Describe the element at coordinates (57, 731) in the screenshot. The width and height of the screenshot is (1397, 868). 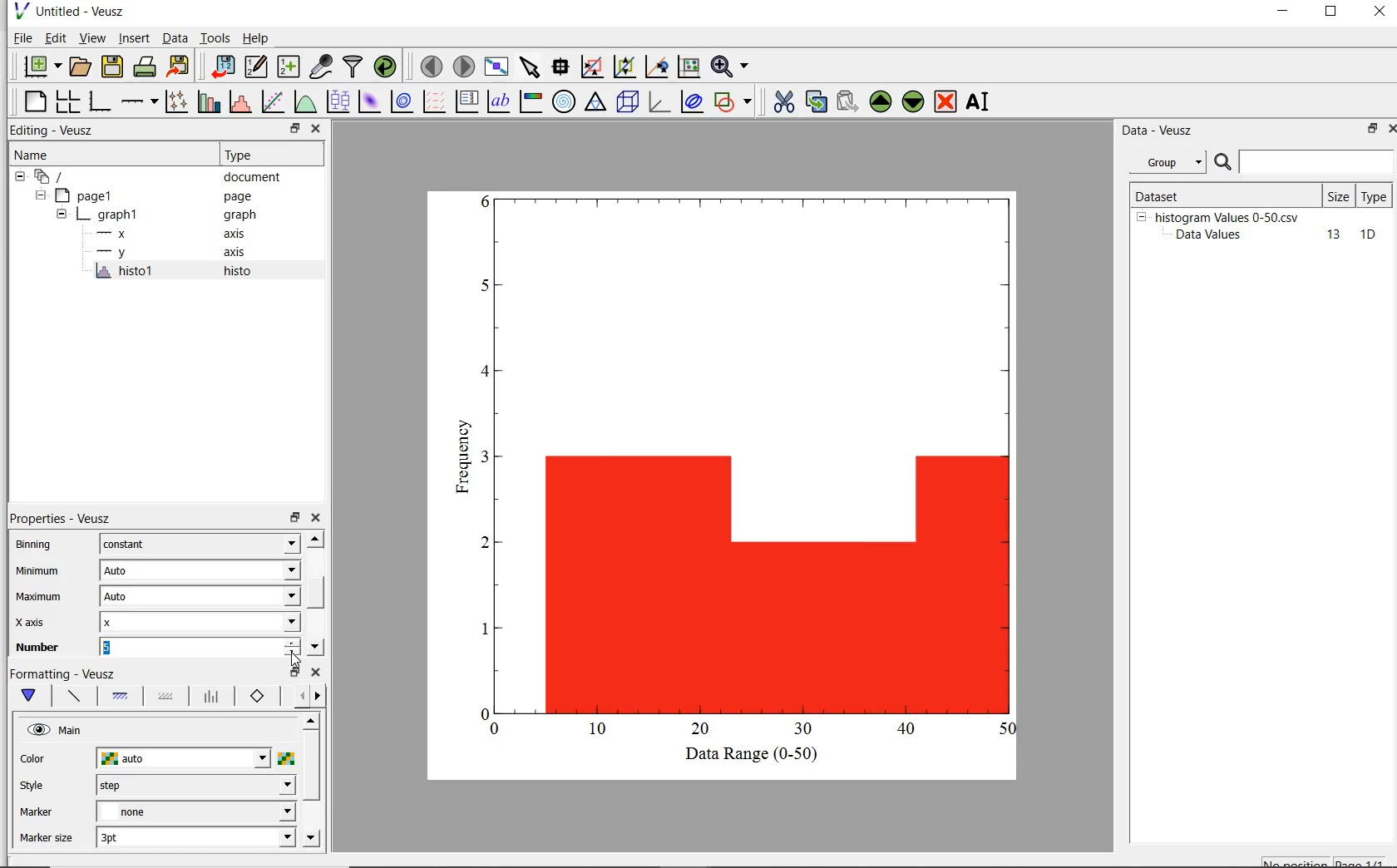
I see `hide main` at that location.